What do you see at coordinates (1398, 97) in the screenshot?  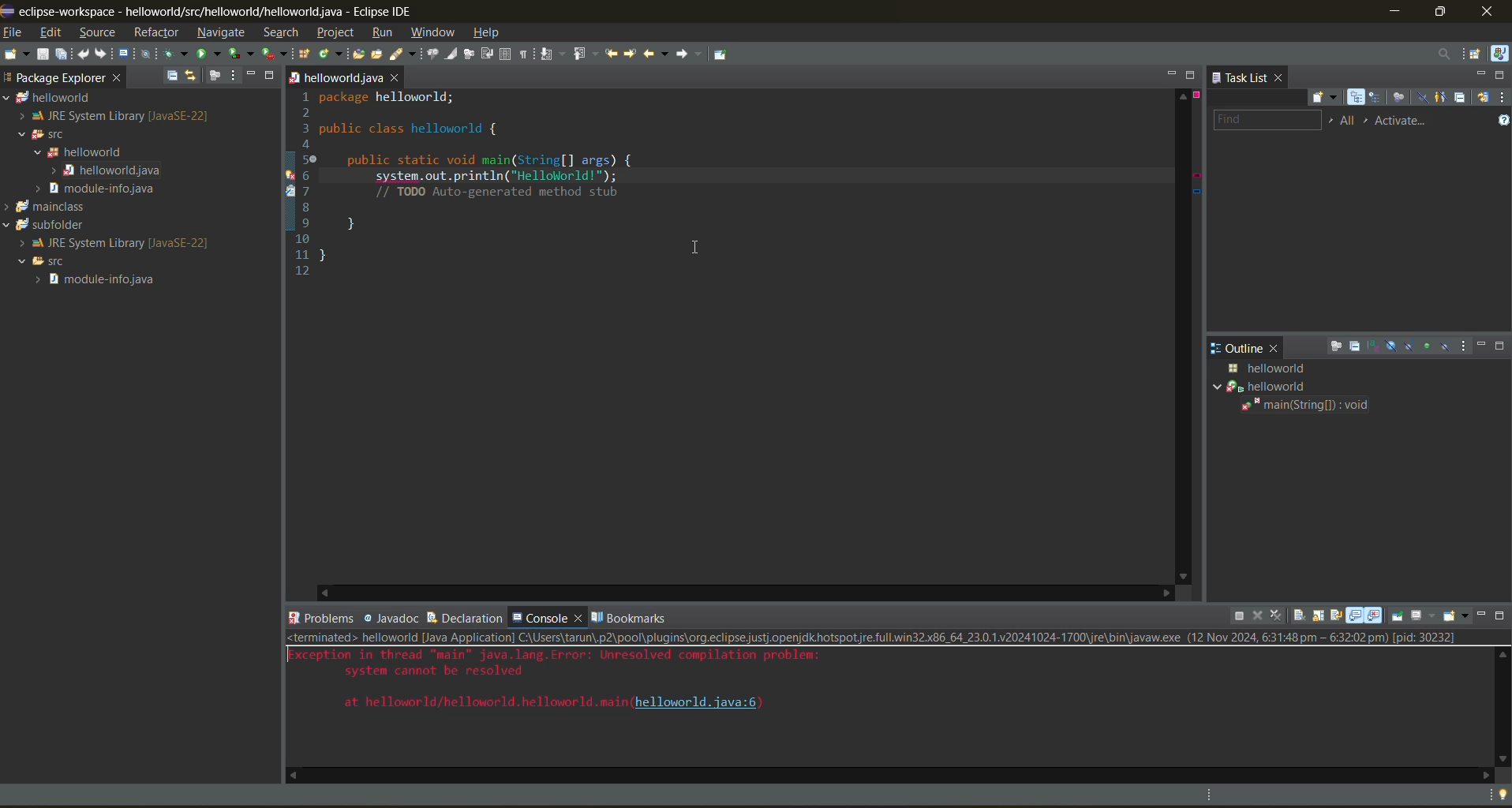 I see `focus on workweek` at bounding box center [1398, 97].